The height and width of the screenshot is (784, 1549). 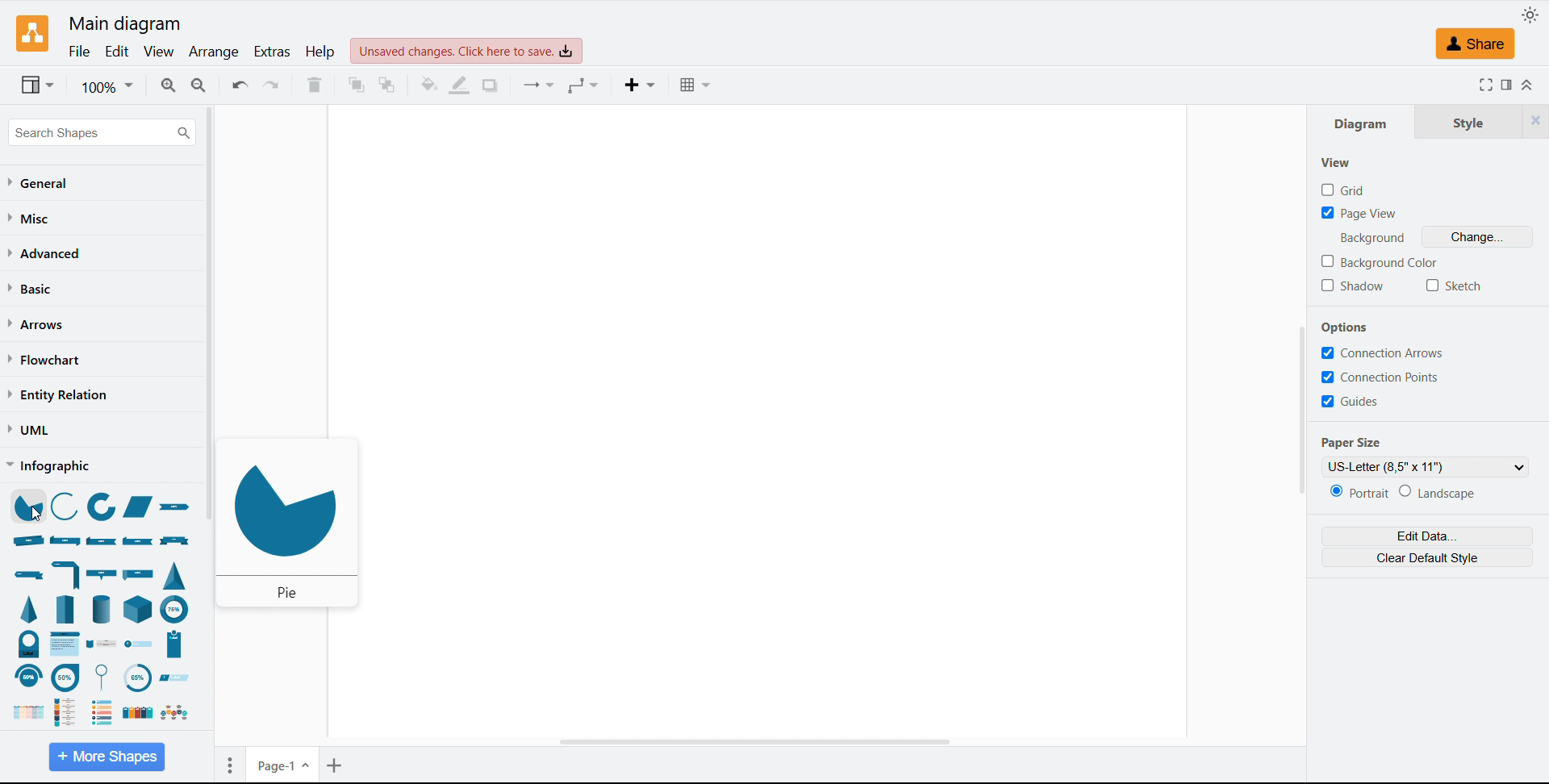 What do you see at coordinates (1535, 121) in the screenshot?
I see `Close tabs ` at bounding box center [1535, 121].